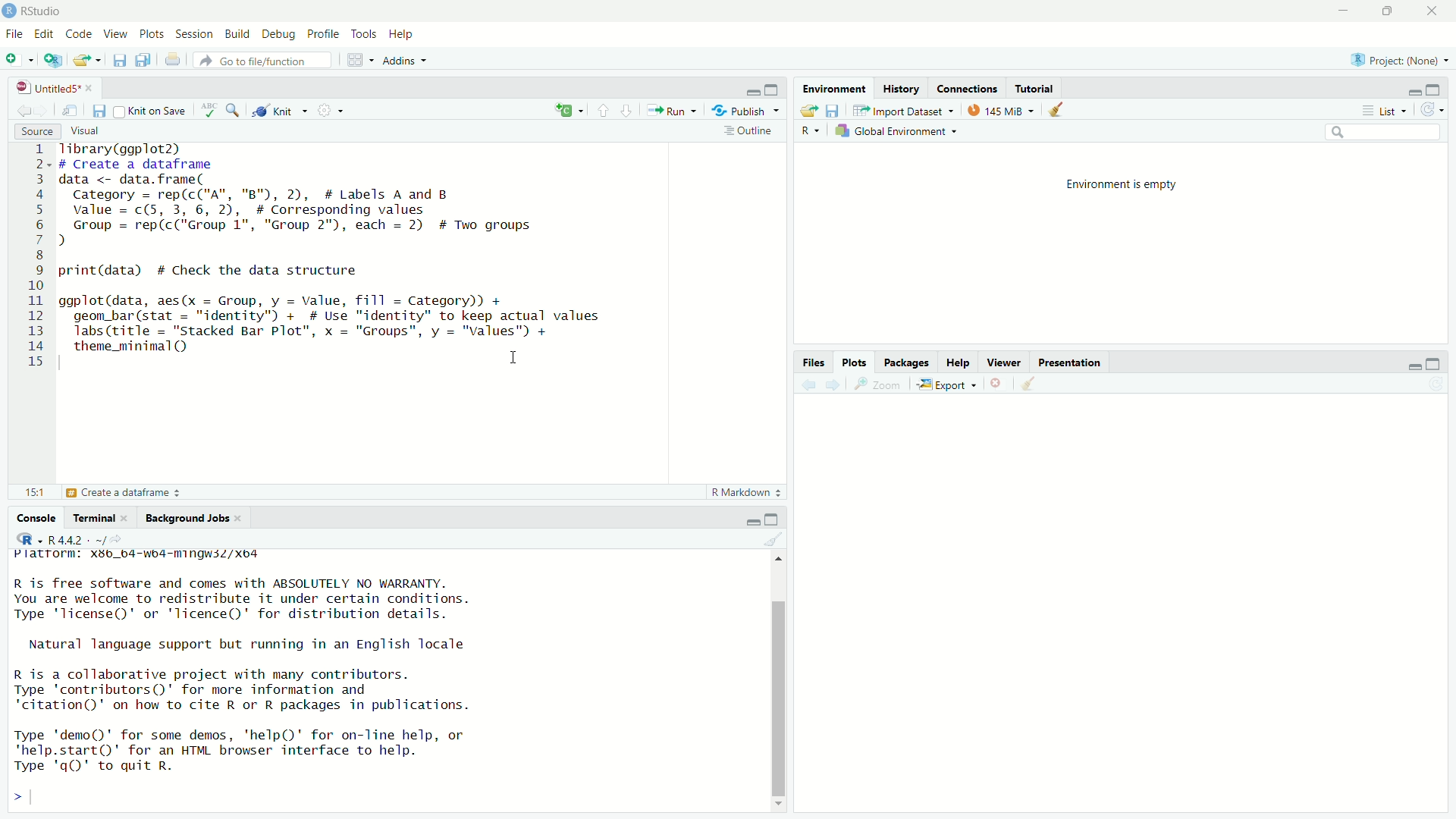 Image resolution: width=1456 pixels, height=819 pixels. Describe the element at coordinates (1436, 89) in the screenshot. I see `Maximize` at that location.